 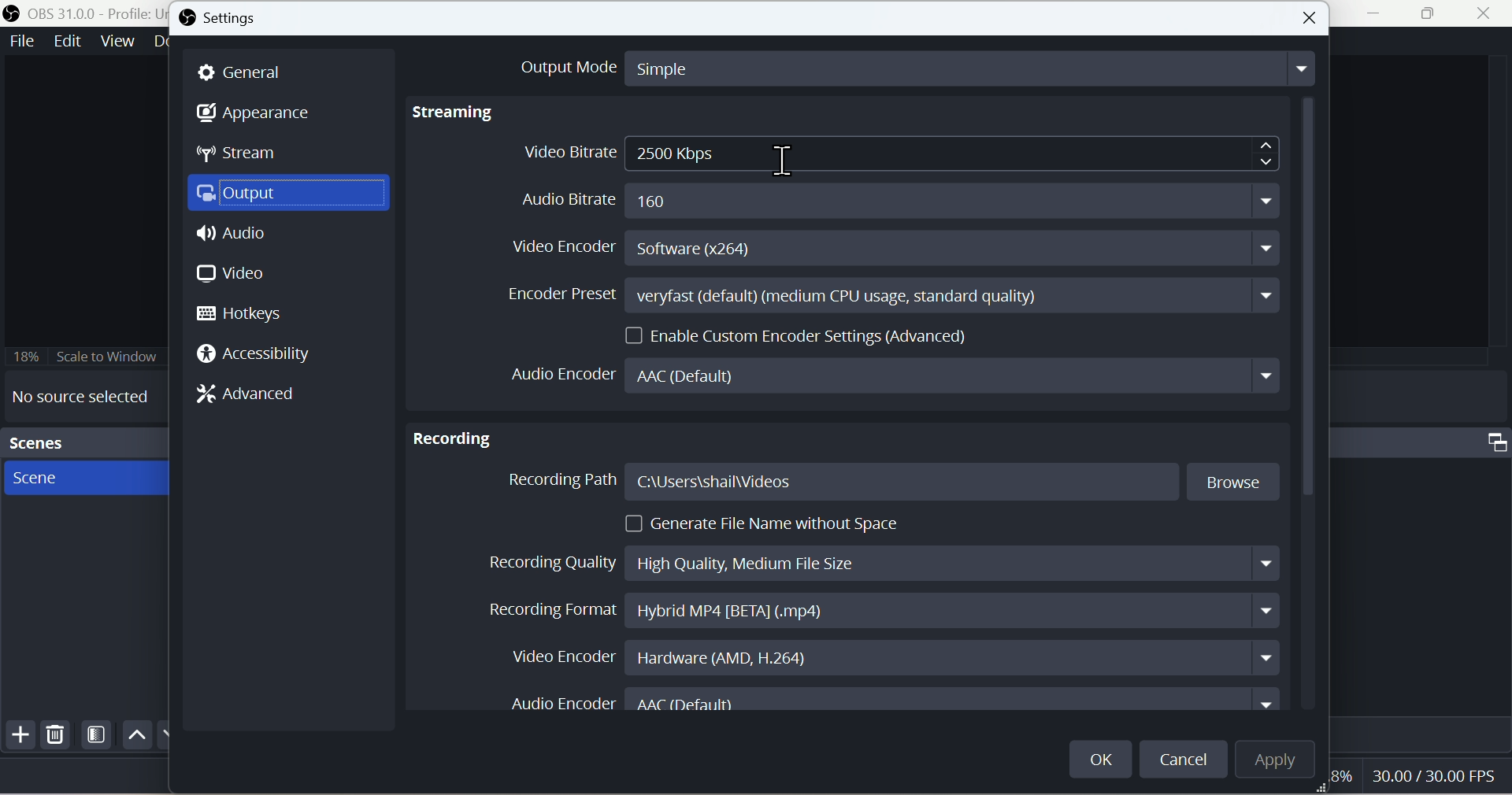 What do you see at coordinates (1102, 755) in the screenshot?
I see `OK` at bounding box center [1102, 755].